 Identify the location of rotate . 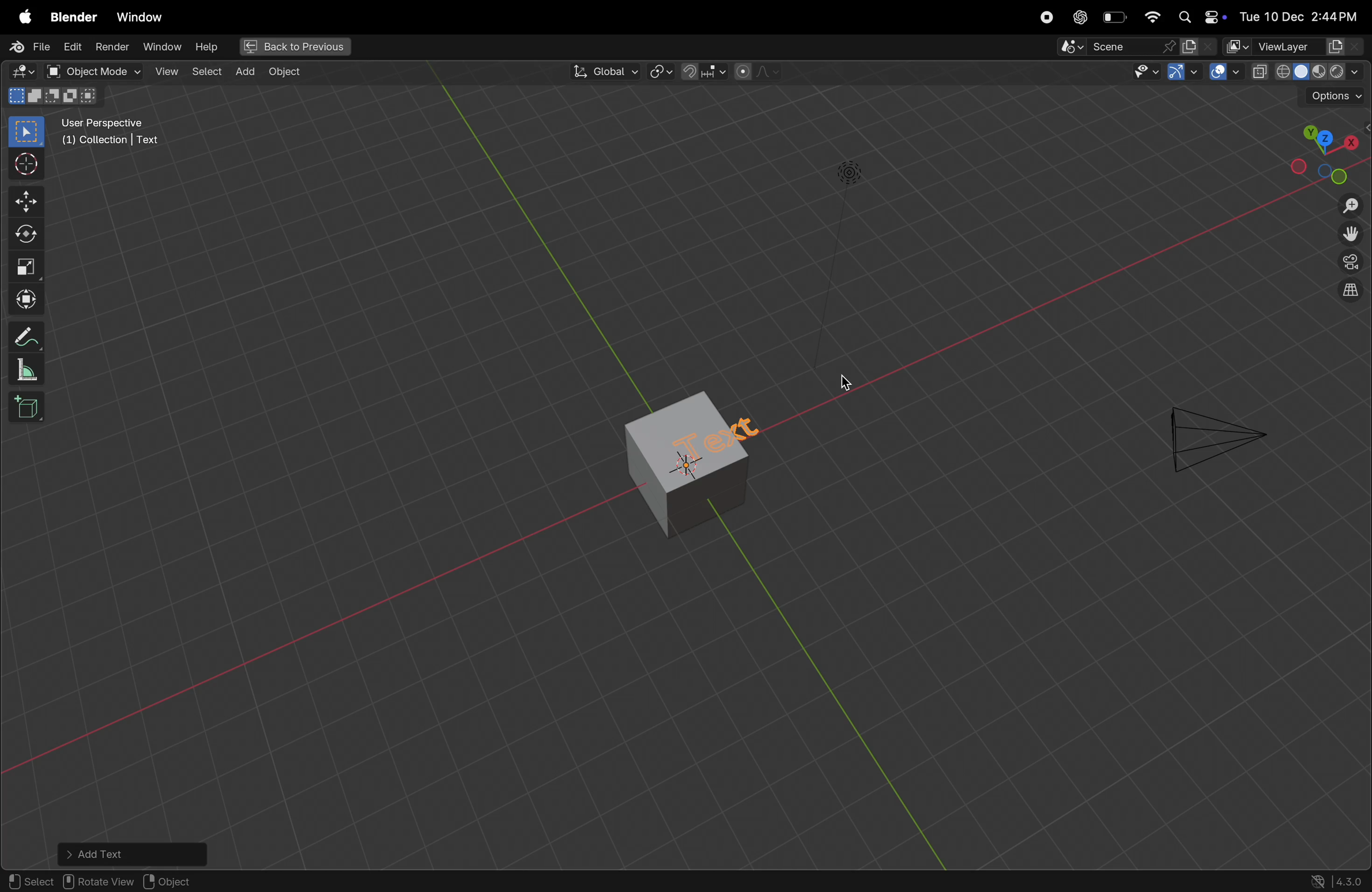
(24, 233).